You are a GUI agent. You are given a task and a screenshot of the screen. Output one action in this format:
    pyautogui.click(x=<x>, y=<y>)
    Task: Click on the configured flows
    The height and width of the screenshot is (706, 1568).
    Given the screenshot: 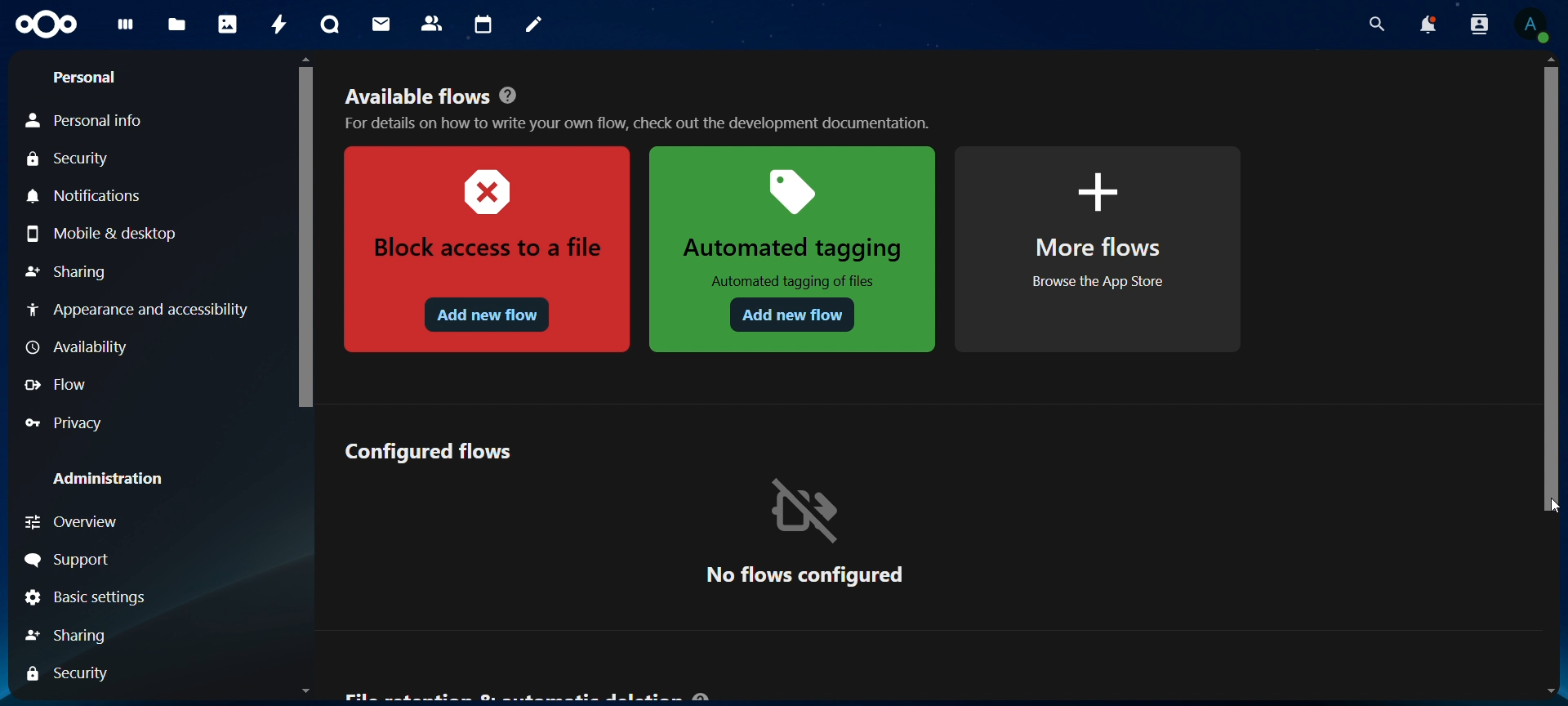 What is the action you would take?
    pyautogui.click(x=431, y=449)
    